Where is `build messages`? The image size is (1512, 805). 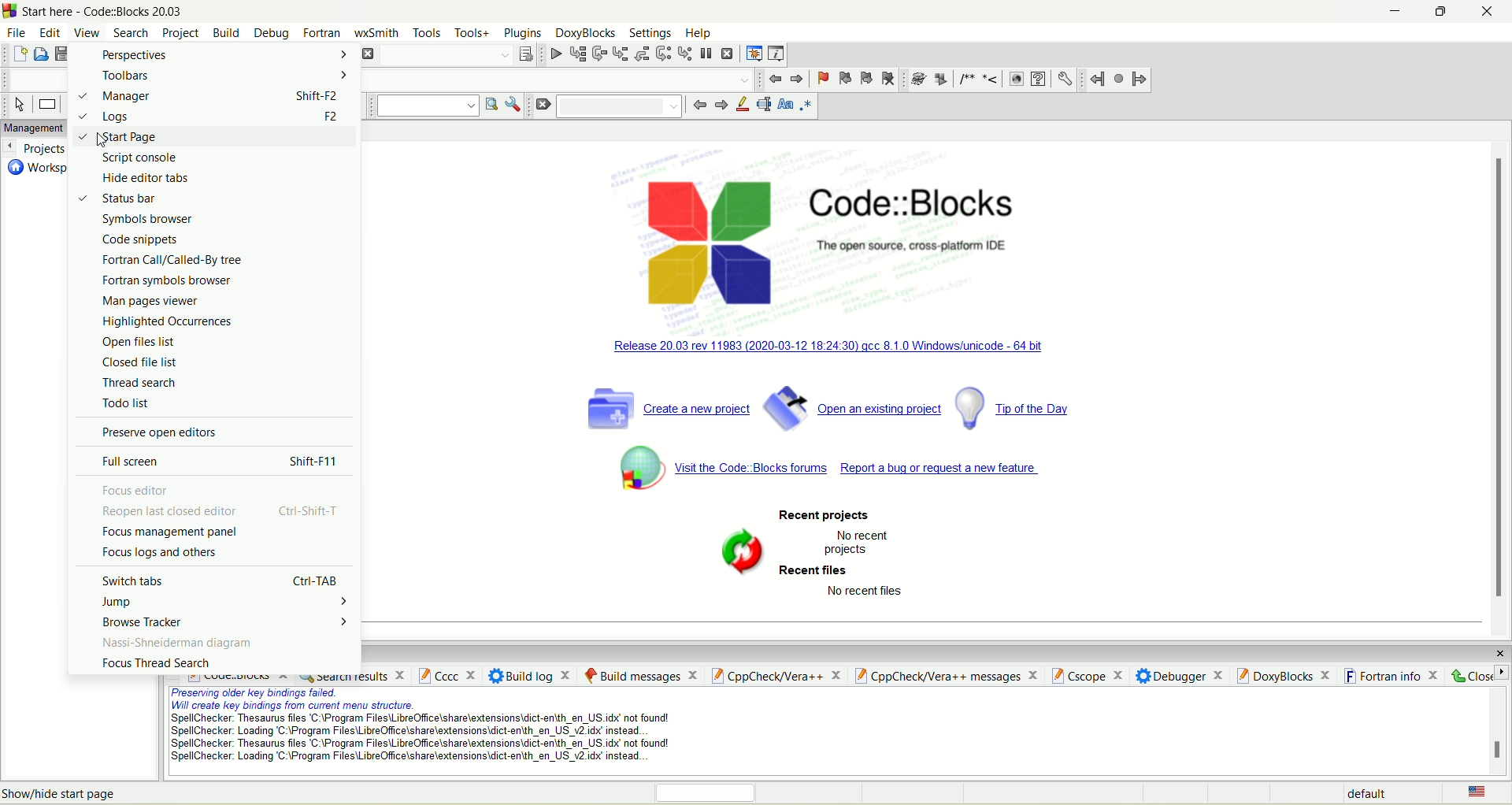 build messages is located at coordinates (639, 674).